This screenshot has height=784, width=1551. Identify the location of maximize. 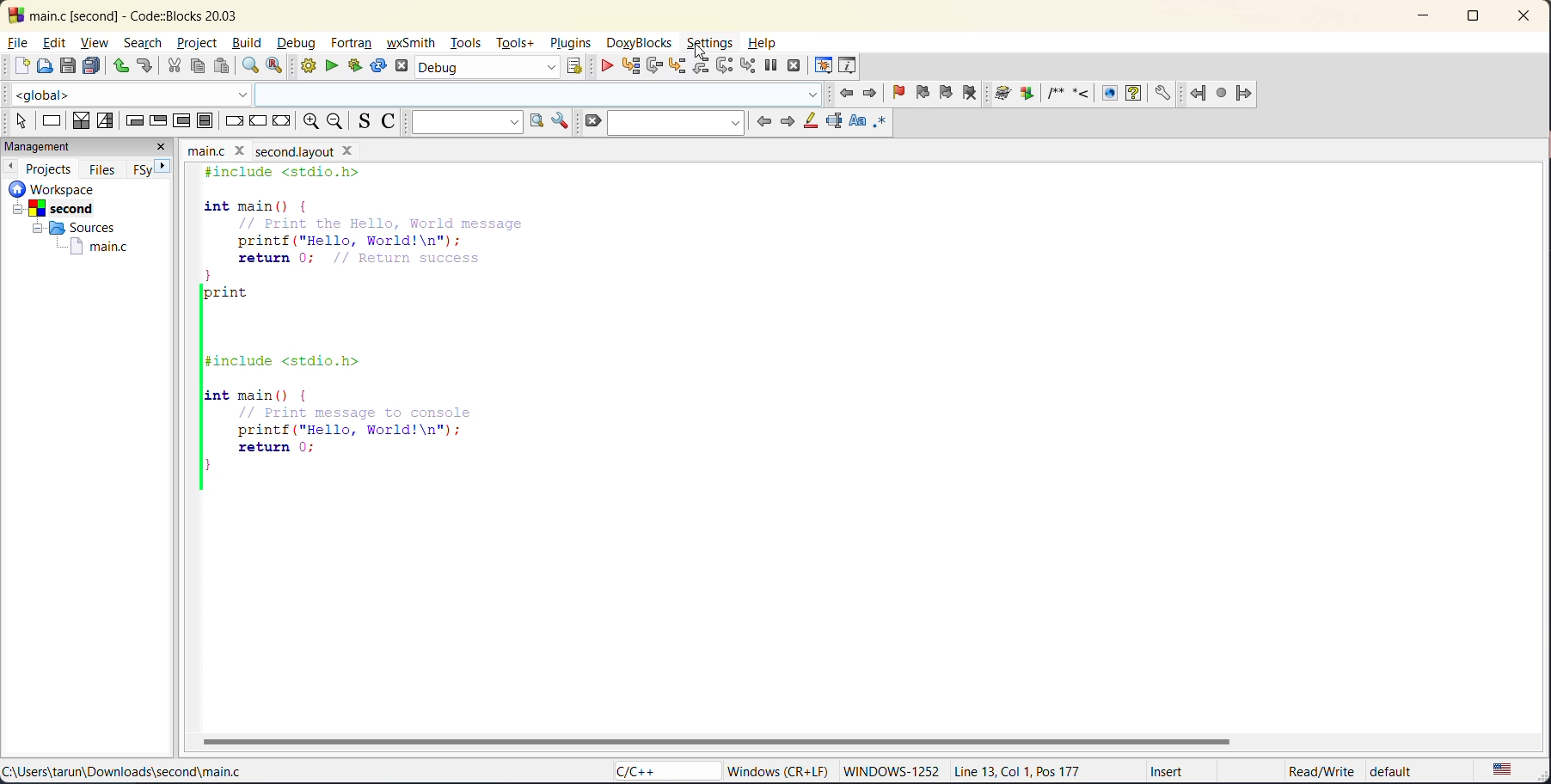
(1471, 19).